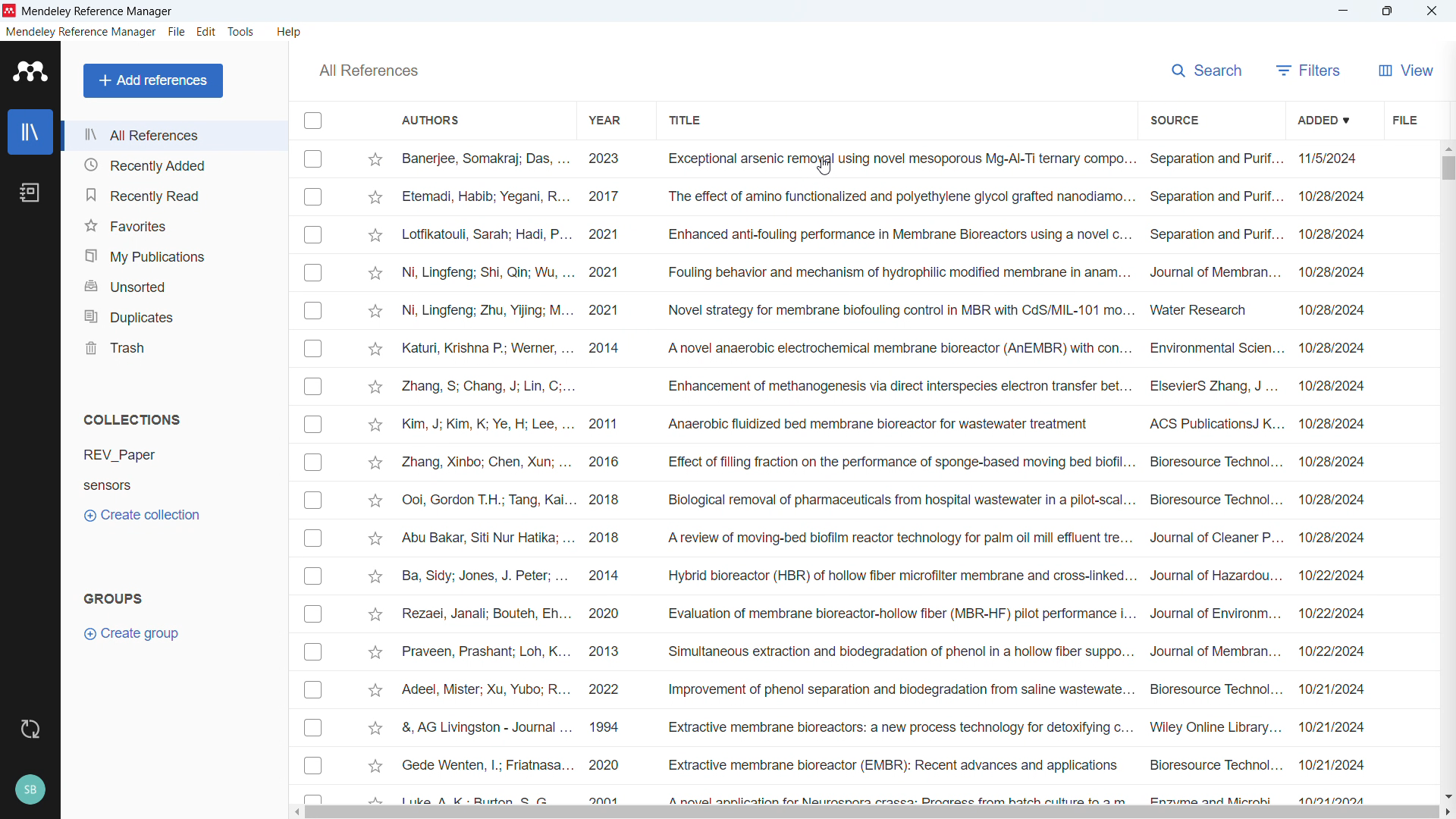 This screenshot has width=1456, height=819. I want to click on Sort by source , so click(1173, 120).